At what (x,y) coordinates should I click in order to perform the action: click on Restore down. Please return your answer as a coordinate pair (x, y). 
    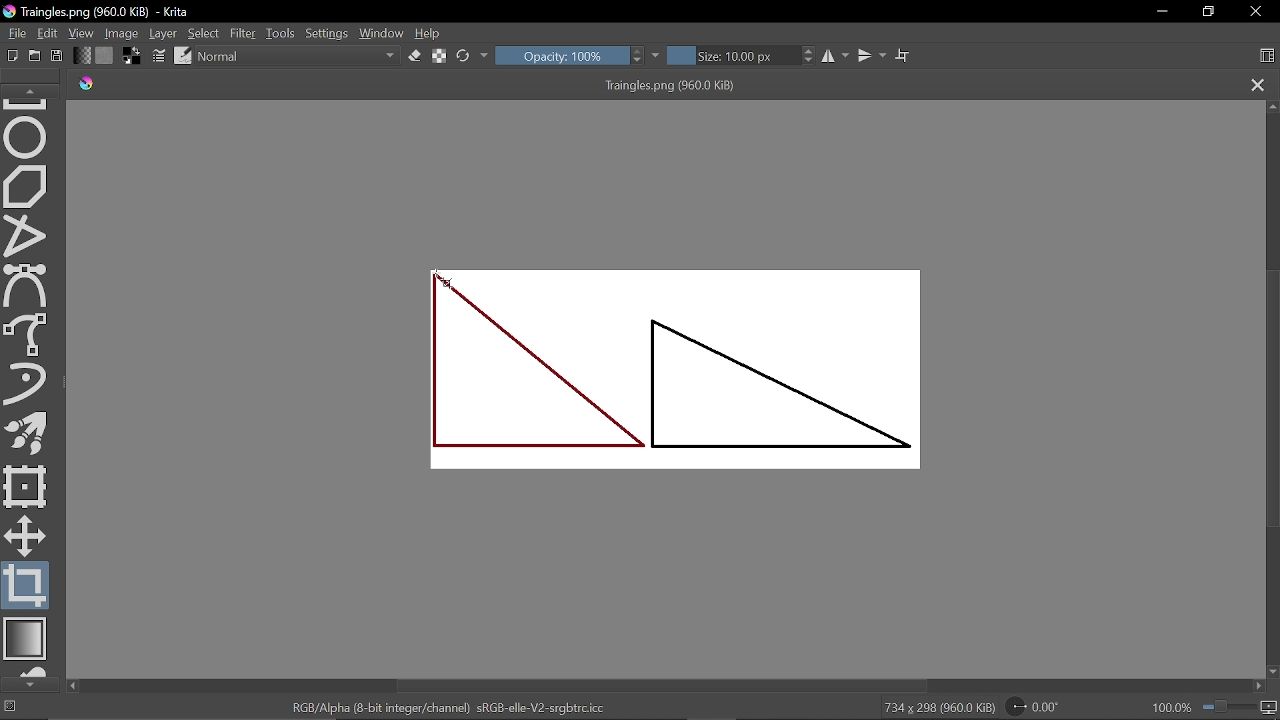
    Looking at the image, I should click on (1209, 12).